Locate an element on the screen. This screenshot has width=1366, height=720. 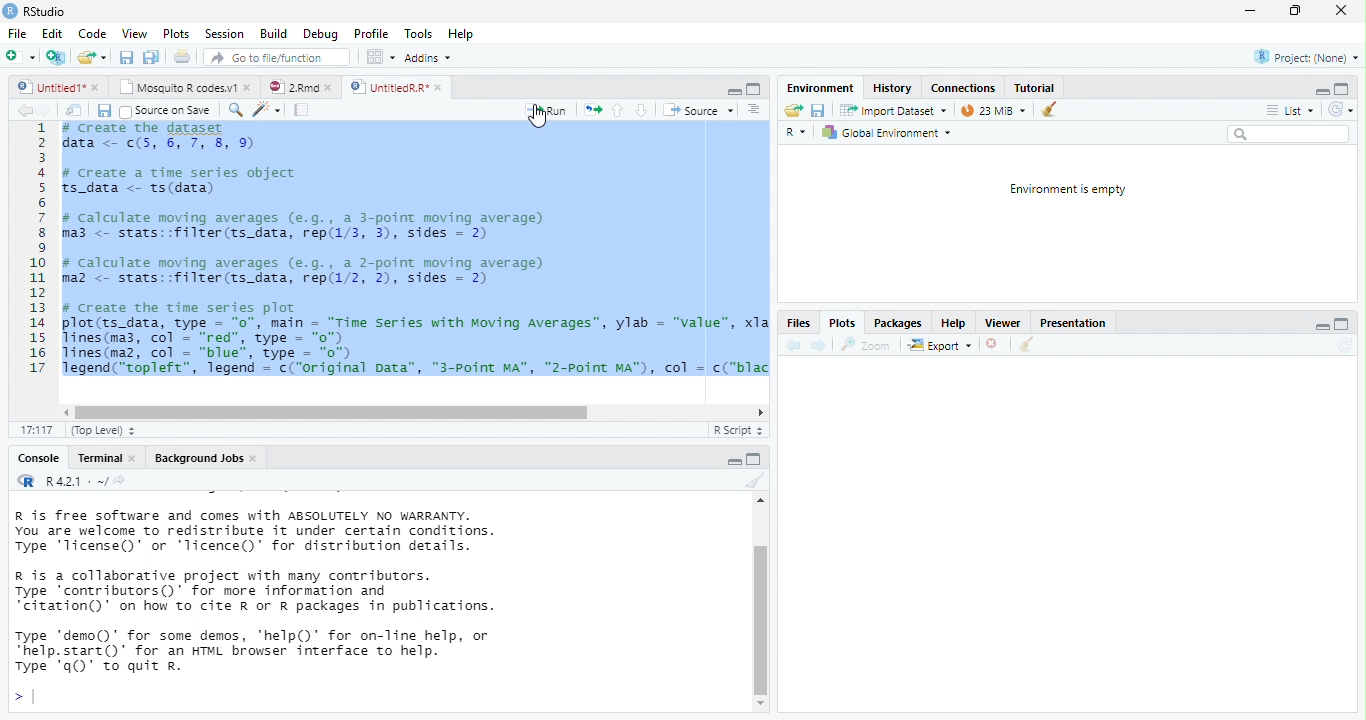
Edit is located at coordinates (52, 33).